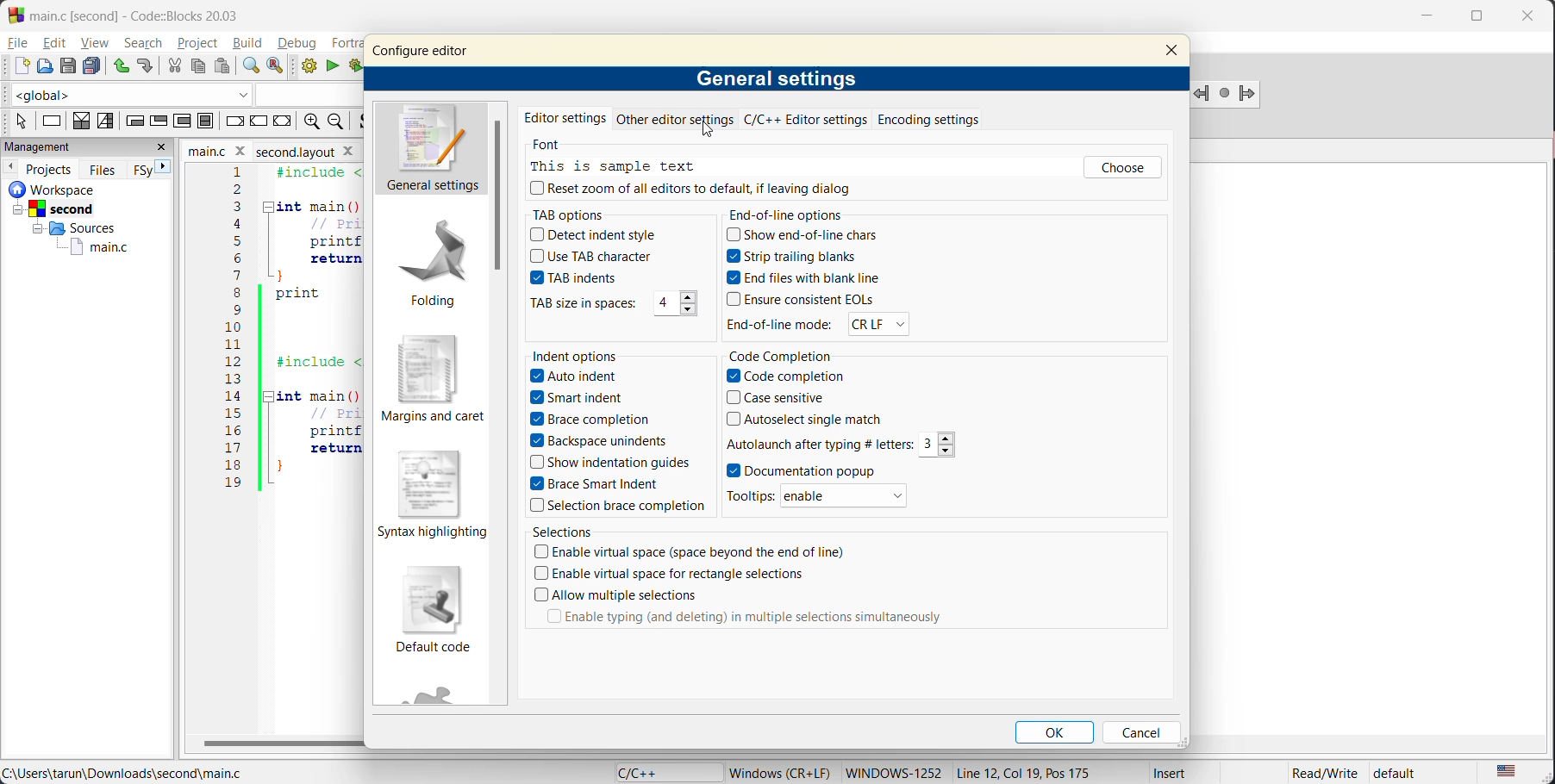 The image size is (1555, 784). What do you see at coordinates (628, 594) in the screenshot?
I see `Allow multiple selections` at bounding box center [628, 594].